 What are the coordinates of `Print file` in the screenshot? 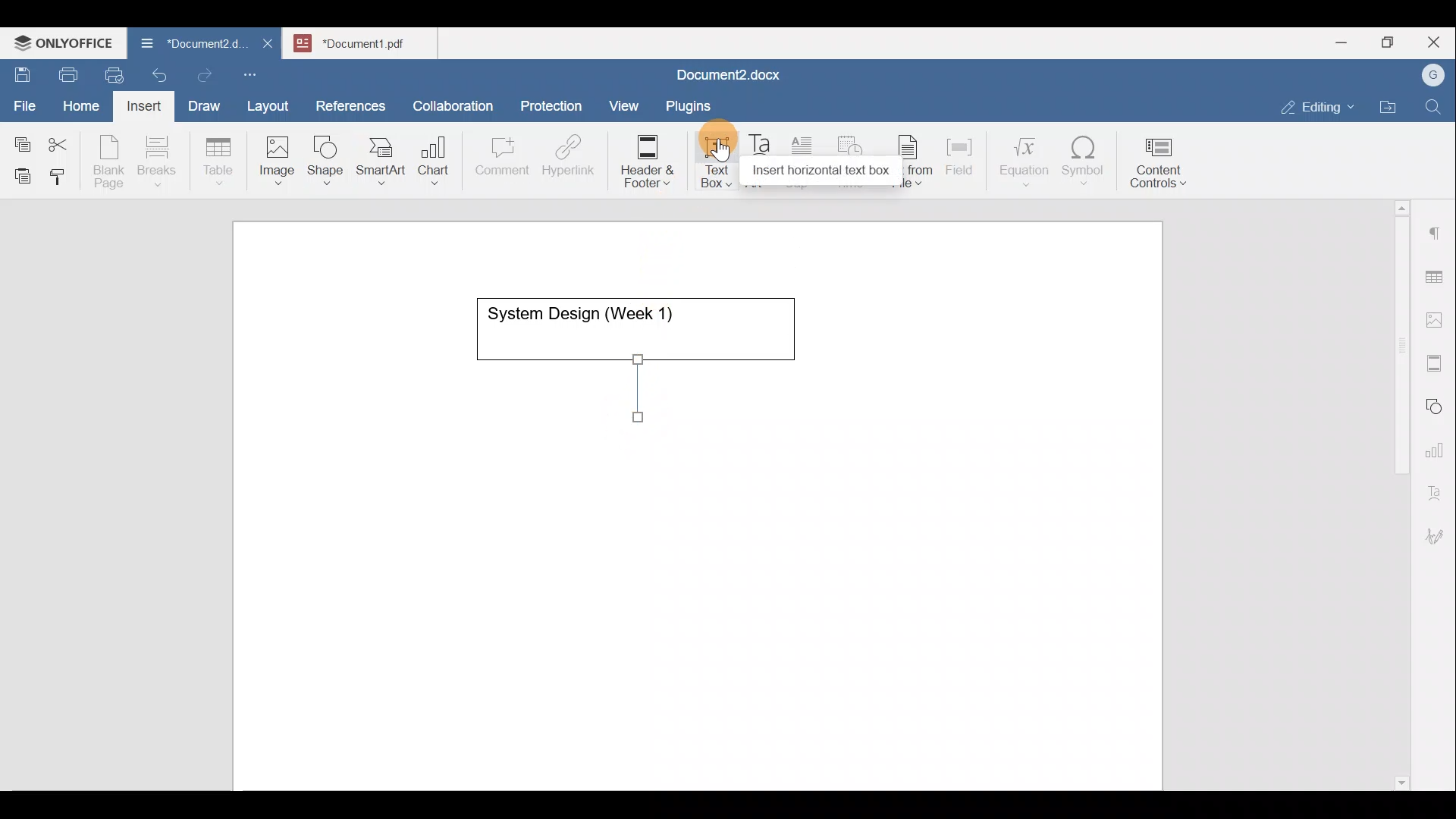 It's located at (65, 72).